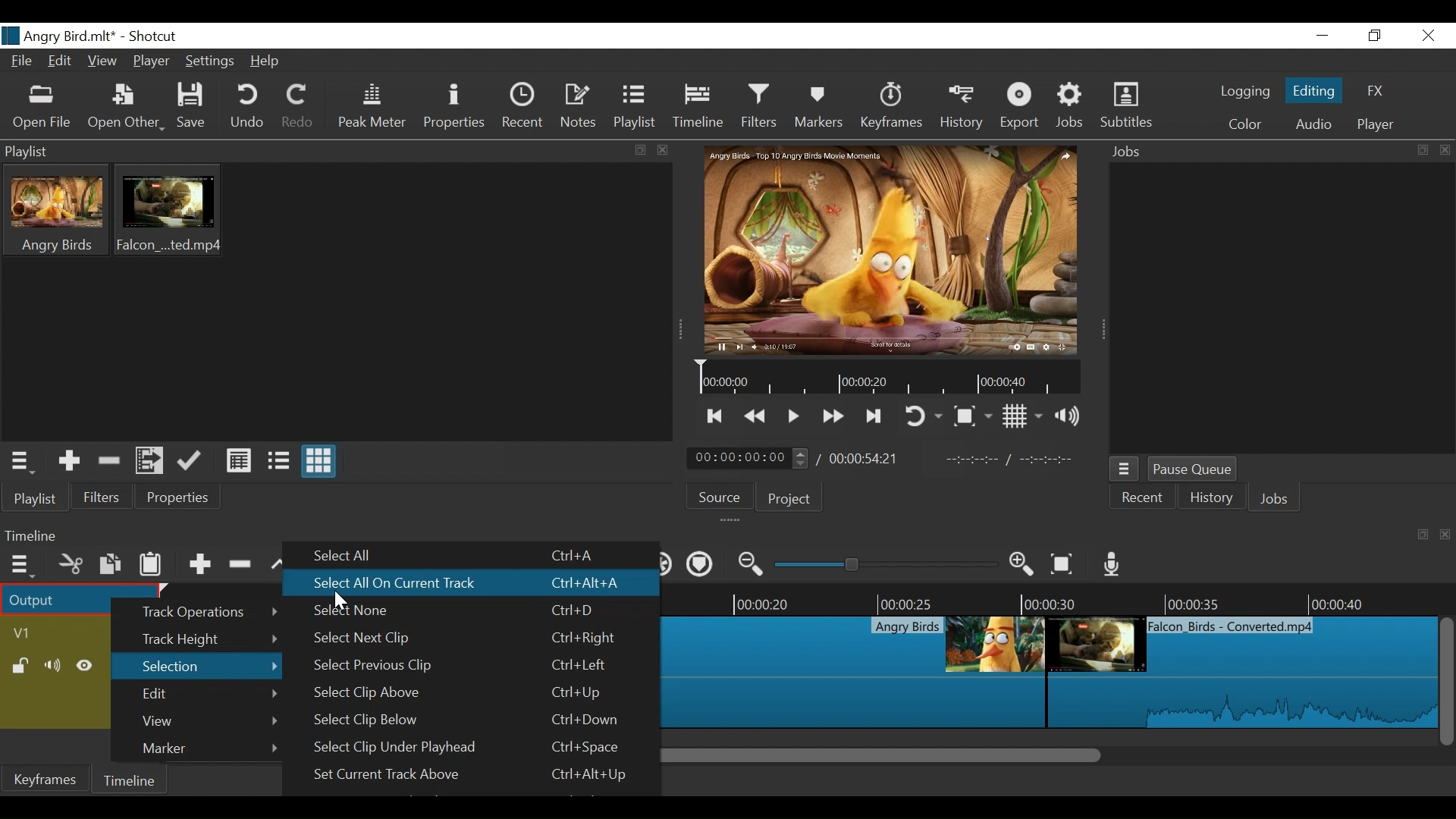 This screenshot has width=1456, height=819. Describe the element at coordinates (193, 108) in the screenshot. I see `Save` at that location.